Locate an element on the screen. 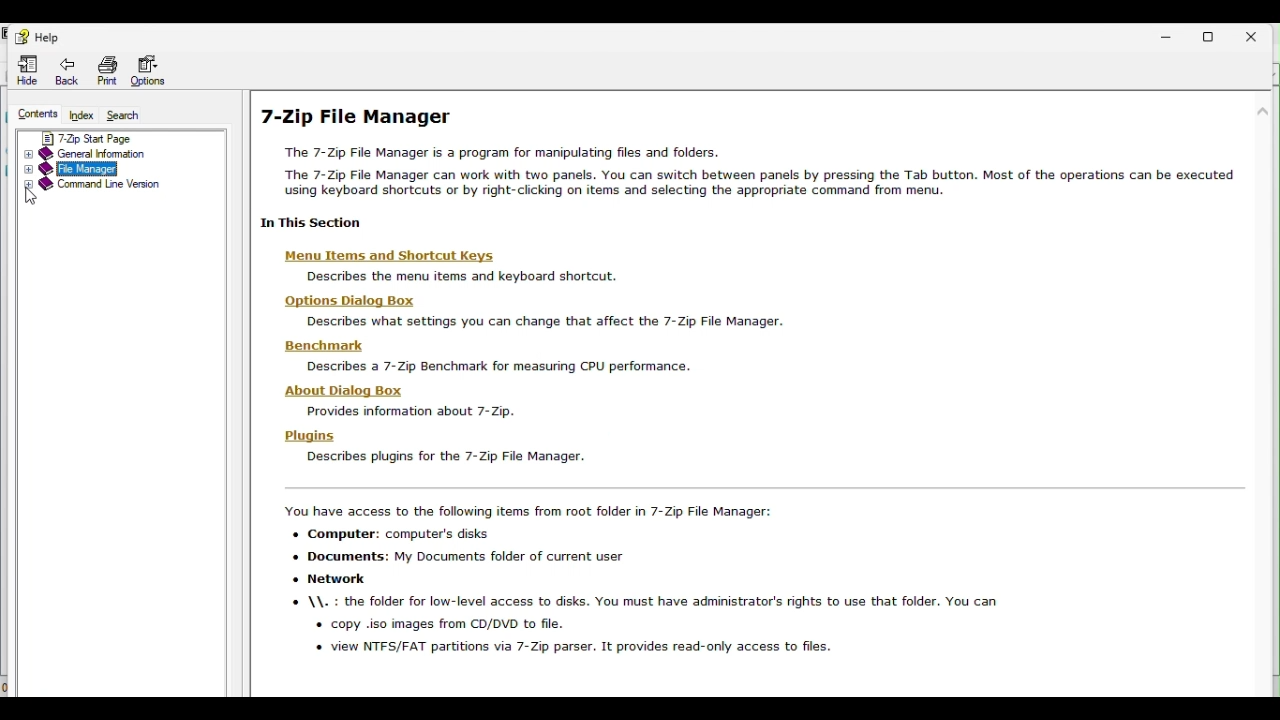  options dialog is located at coordinates (359, 303).